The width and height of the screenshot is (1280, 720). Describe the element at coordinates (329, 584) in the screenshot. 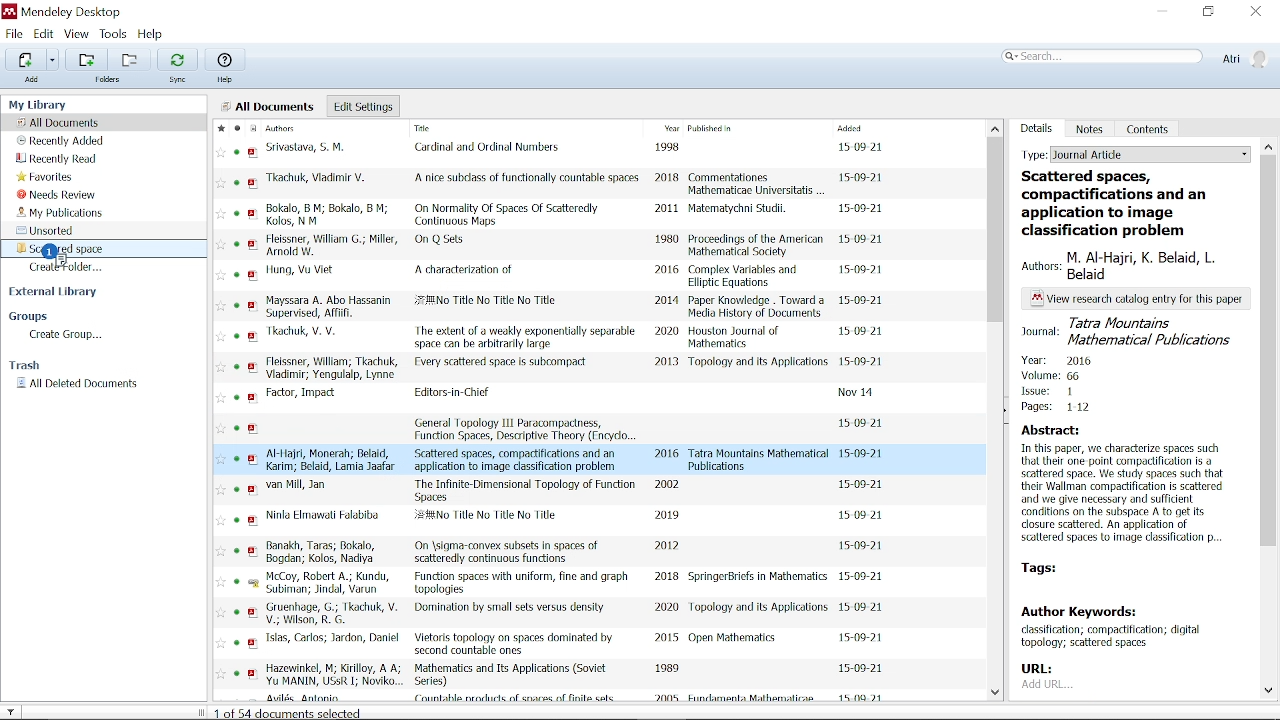

I see `authors` at that location.